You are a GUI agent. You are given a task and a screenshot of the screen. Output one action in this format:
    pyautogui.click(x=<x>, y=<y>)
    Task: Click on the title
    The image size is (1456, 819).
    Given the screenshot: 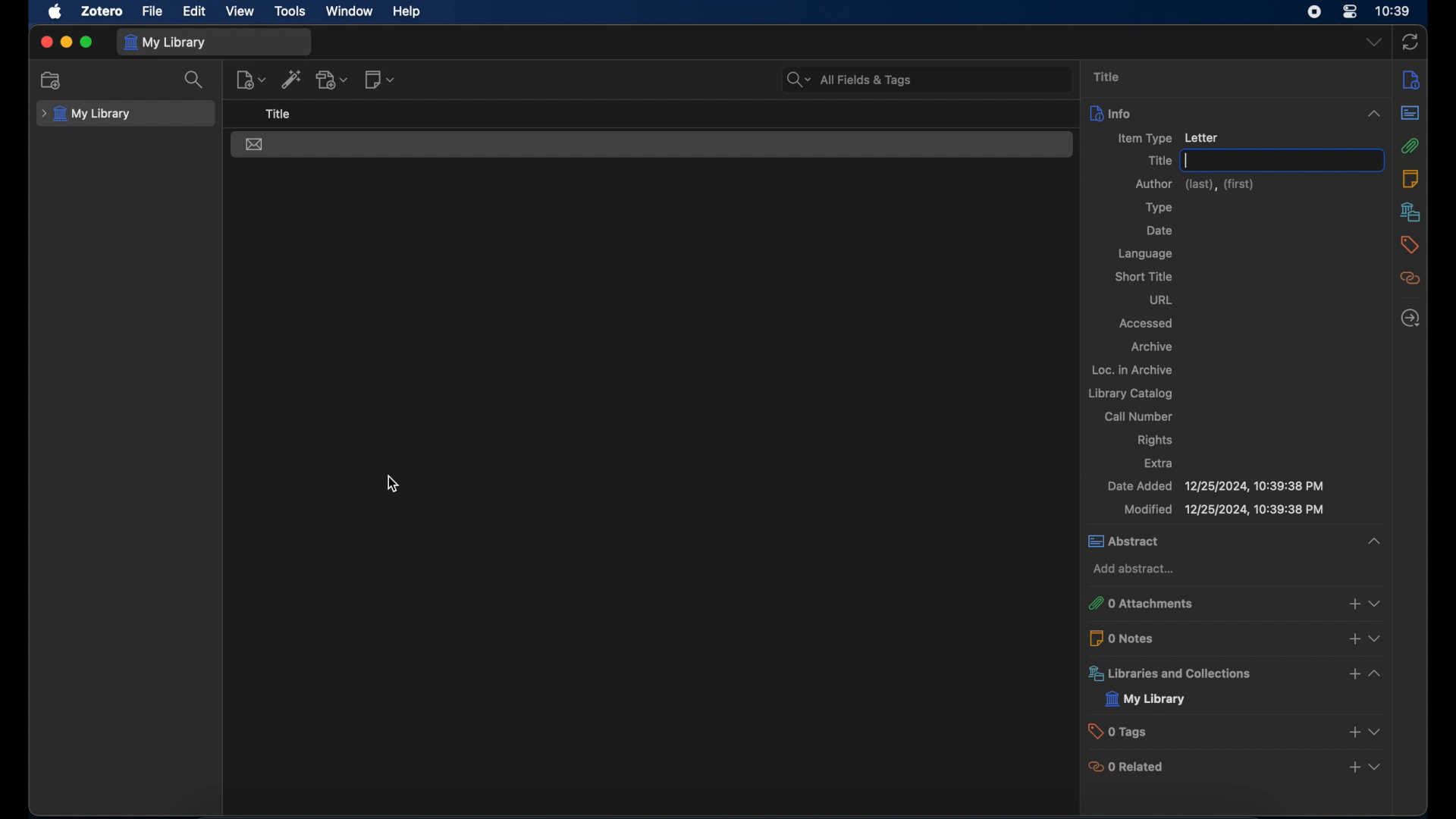 What is the action you would take?
    pyautogui.click(x=1109, y=77)
    